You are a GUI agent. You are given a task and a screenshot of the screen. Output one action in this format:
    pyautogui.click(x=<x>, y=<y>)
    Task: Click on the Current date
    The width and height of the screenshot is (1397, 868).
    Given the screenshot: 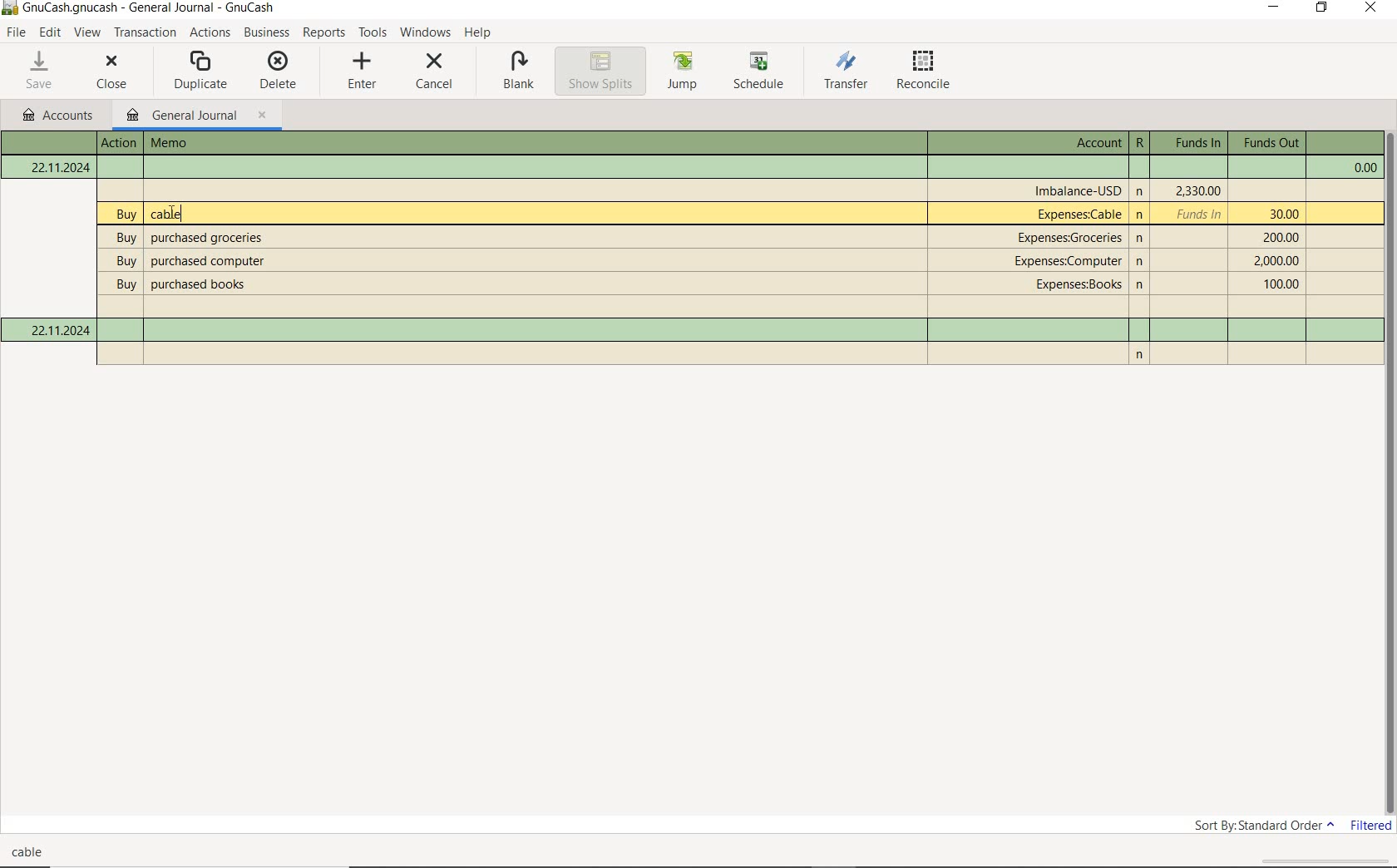 What is the action you would take?
    pyautogui.click(x=58, y=329)
    